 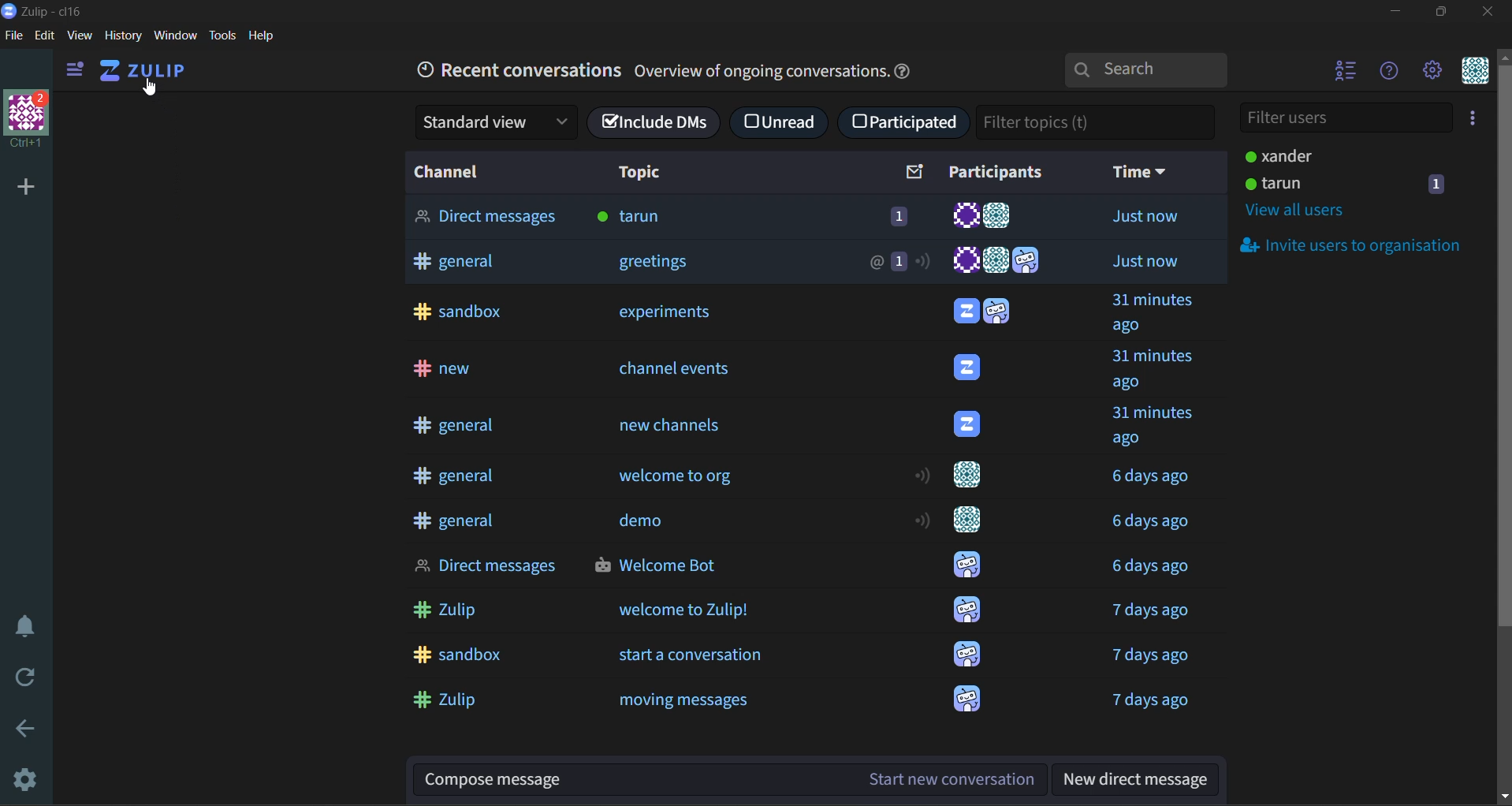 I want to click on view, so click(x=80, y=36).